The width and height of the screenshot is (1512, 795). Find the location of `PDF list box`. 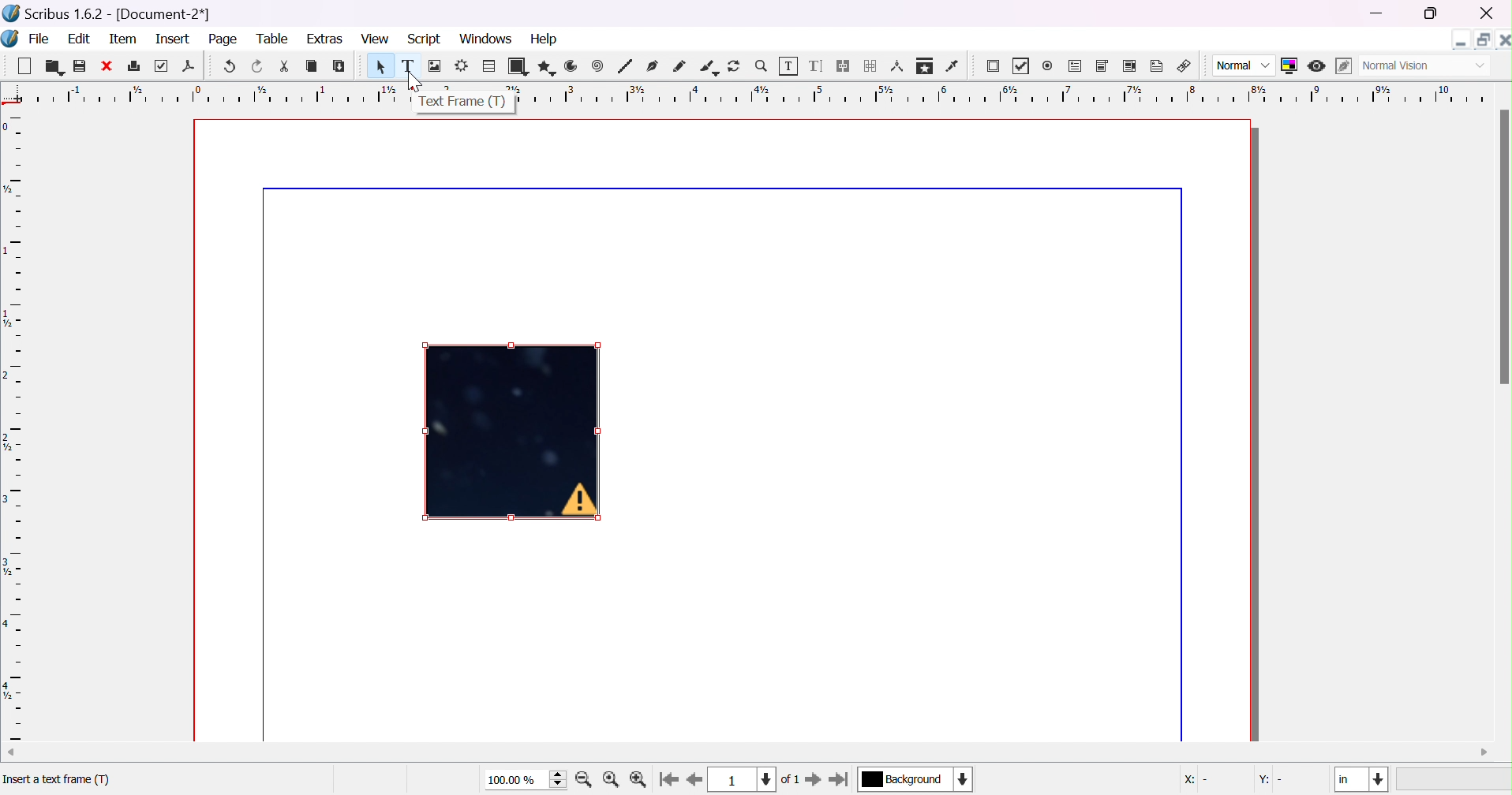

PDF list box is located at coordinates (1128, 65).